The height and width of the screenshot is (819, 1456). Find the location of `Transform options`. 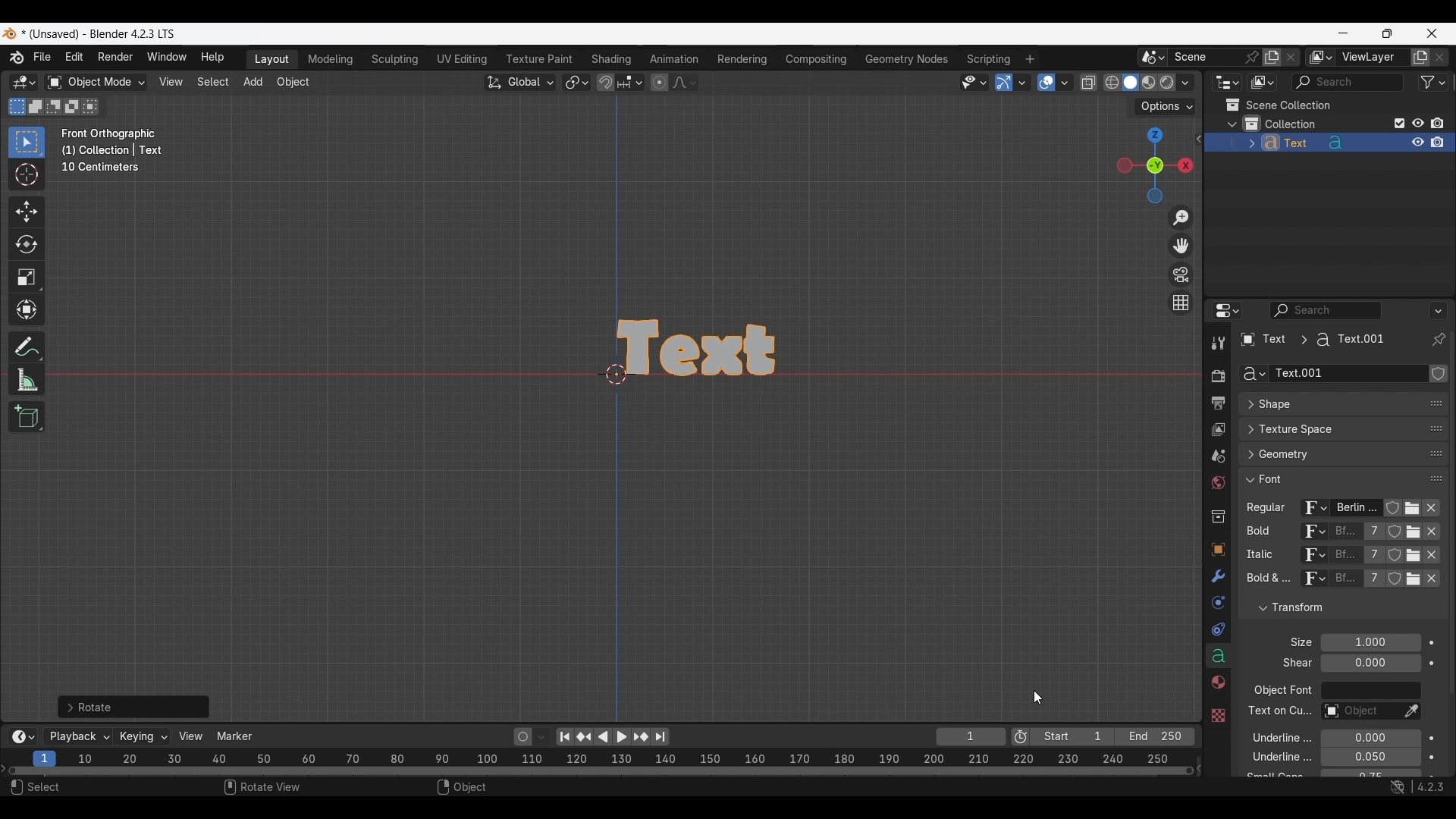

Transform options is located at coordinates (1165, 107).